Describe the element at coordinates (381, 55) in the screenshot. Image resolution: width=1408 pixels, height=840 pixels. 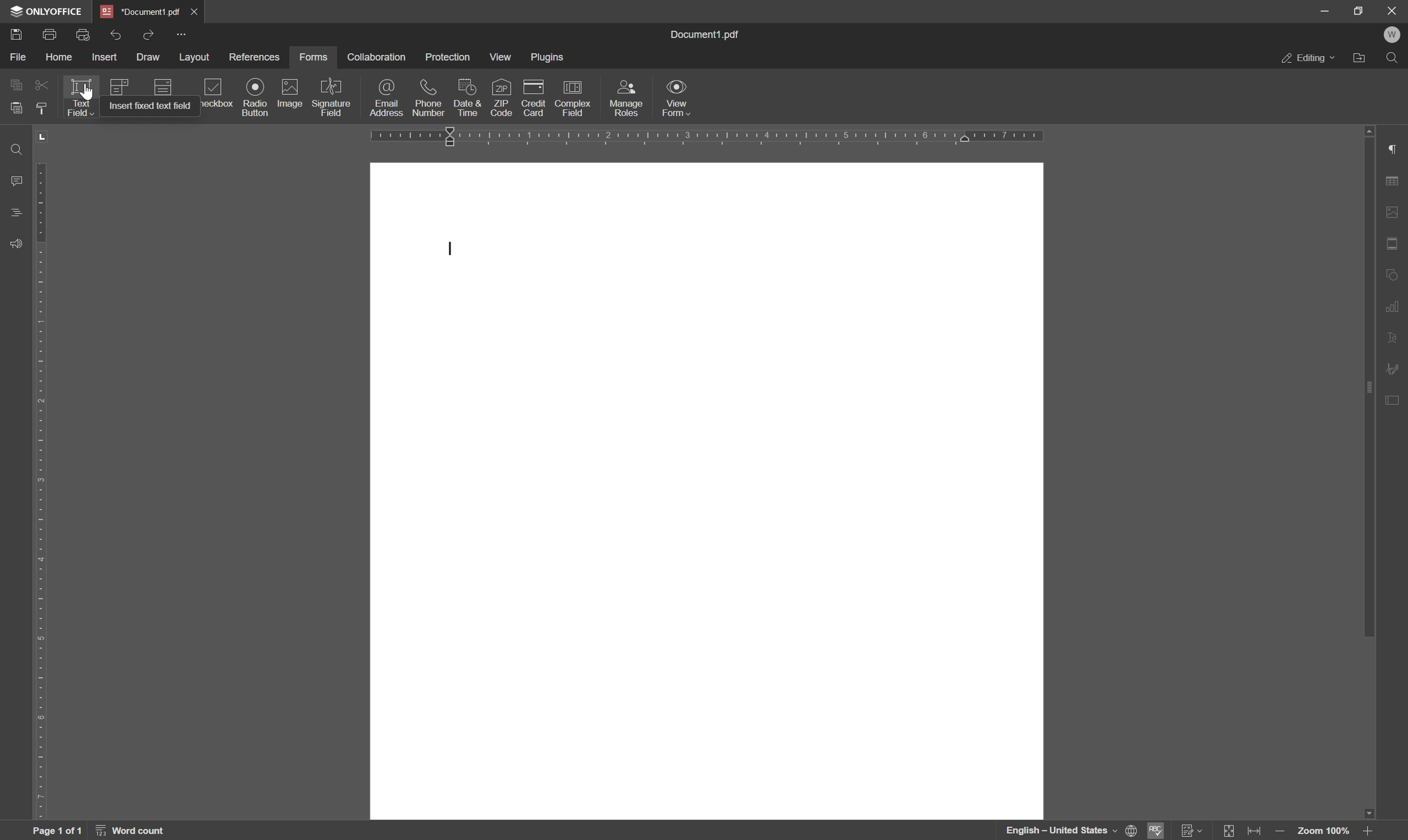
I see `collaboration` at that location.